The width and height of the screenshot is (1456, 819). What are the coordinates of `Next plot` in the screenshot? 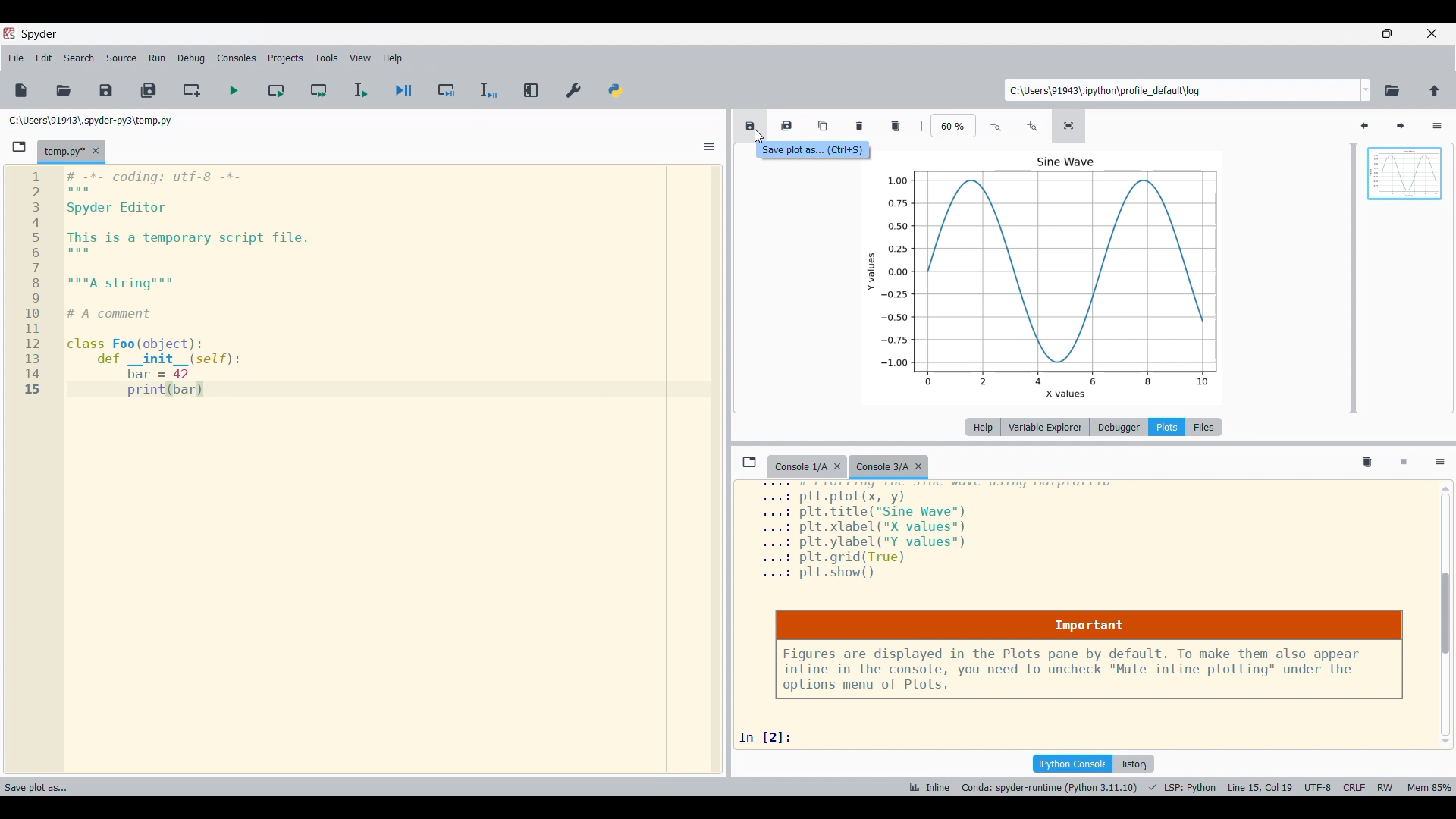 It's located at (1400, 127).